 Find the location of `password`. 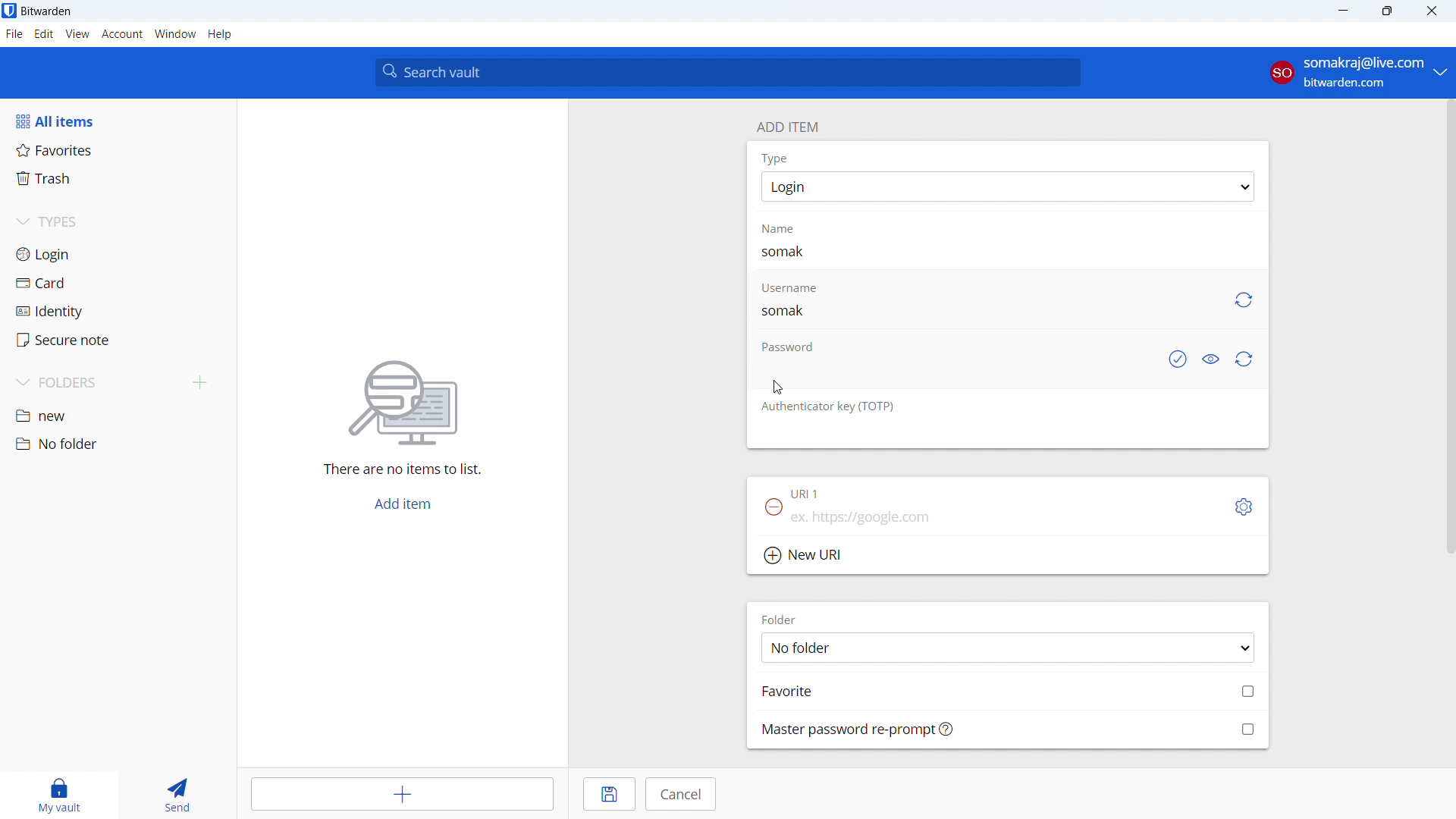

password is located at coordinates (786, 345).